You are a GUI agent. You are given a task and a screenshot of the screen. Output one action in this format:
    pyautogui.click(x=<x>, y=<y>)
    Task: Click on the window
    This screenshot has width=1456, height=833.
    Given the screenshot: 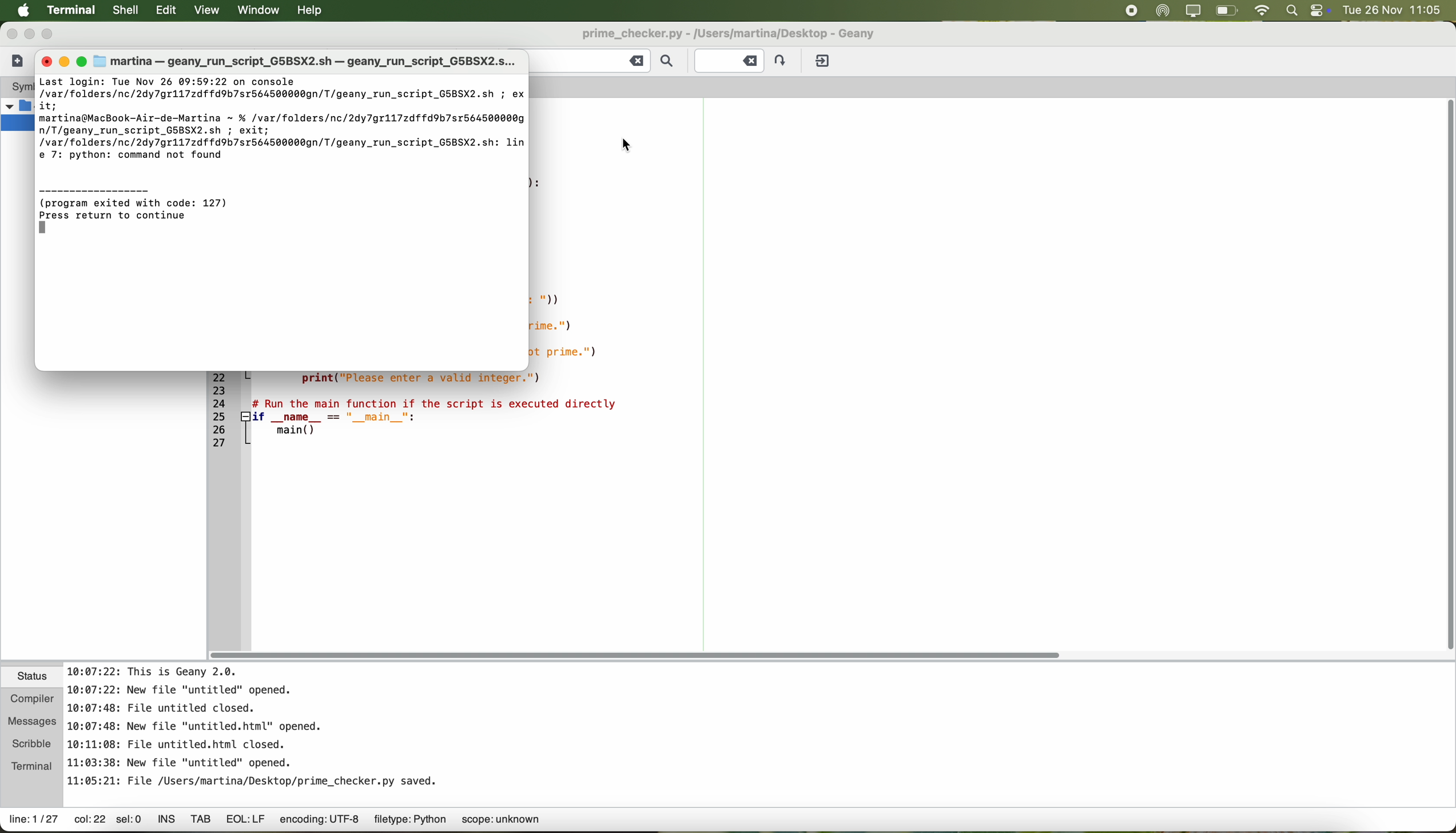 What is the action you would take?
    pyautogui.click(x=261, y=11)
    